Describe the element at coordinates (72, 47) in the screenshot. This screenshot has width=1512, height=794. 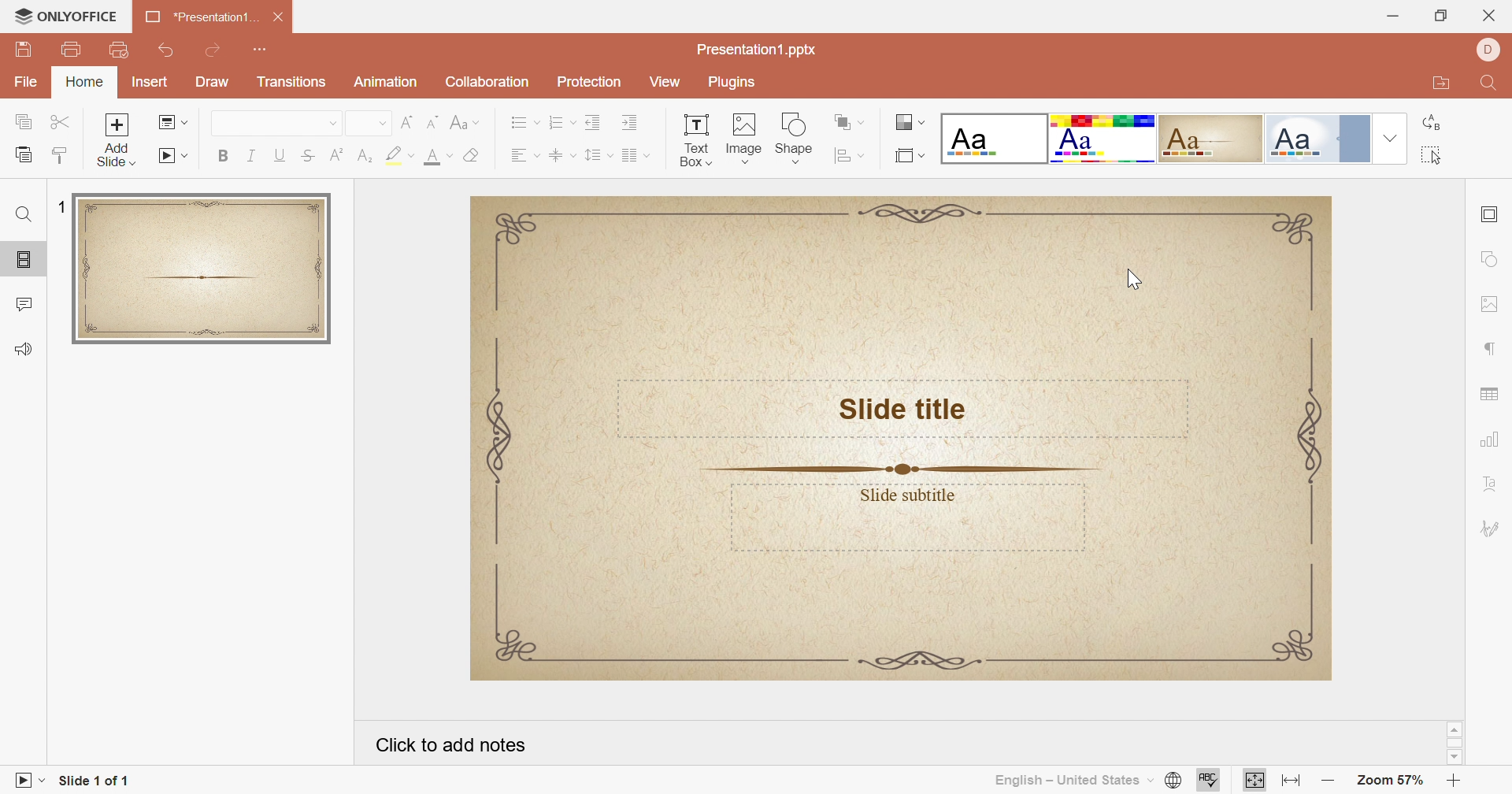
I see `Print` at that location.